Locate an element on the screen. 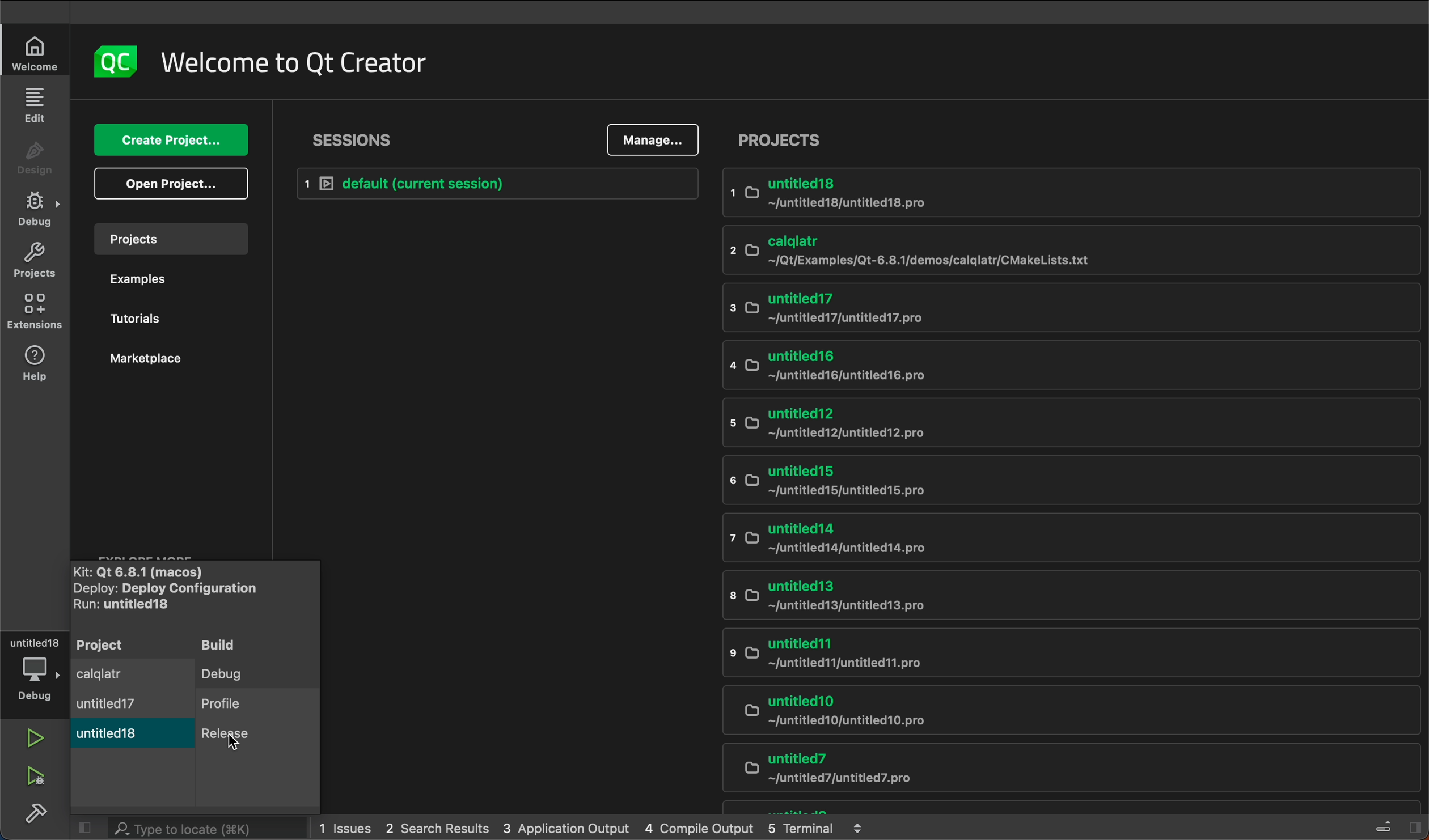 Image resolution: width=1429 pixels, height=840 pixels. profile is located at coordinates (243, 705).